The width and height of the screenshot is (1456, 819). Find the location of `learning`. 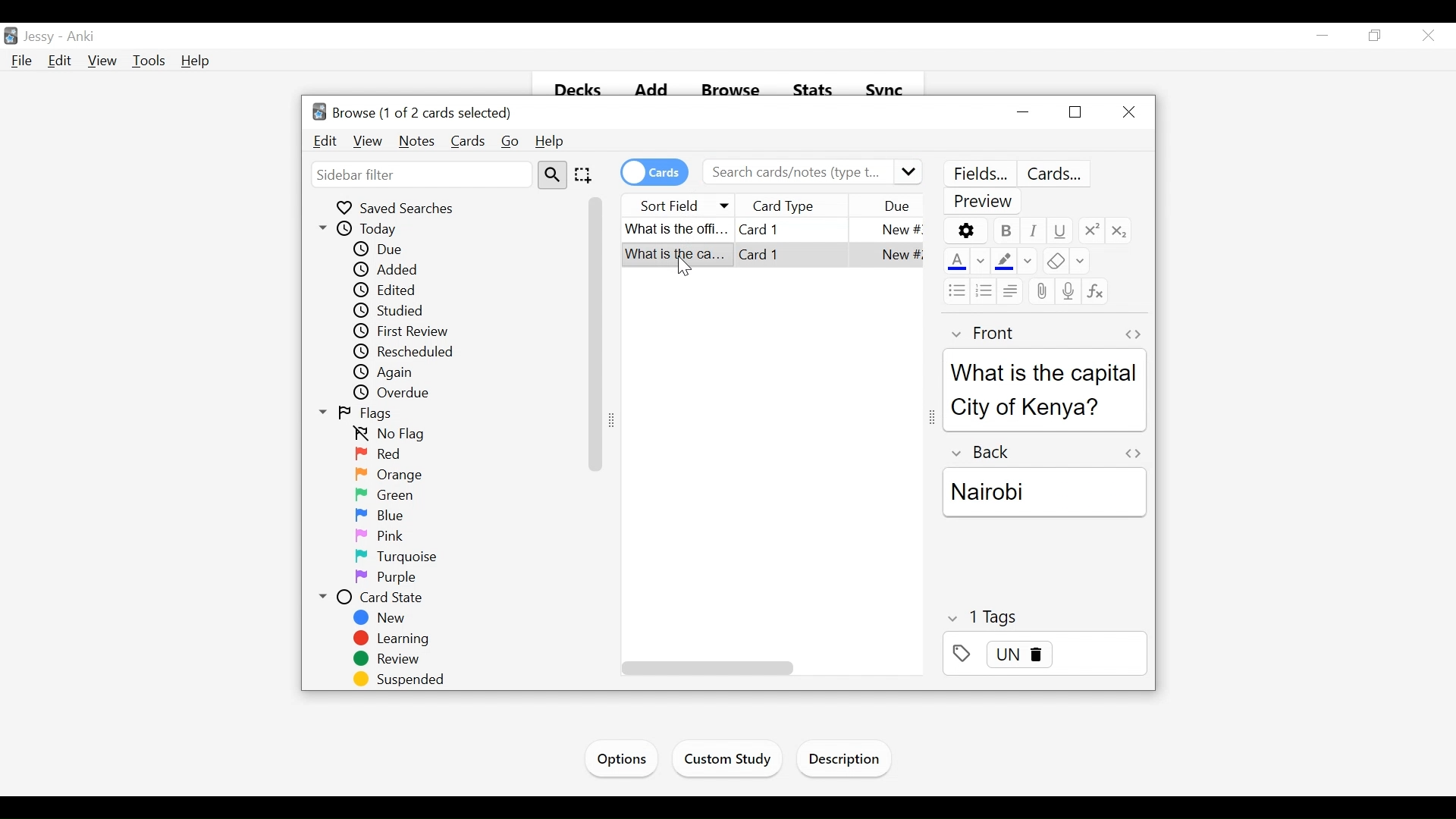

learning is located at coordinates (393, 639).